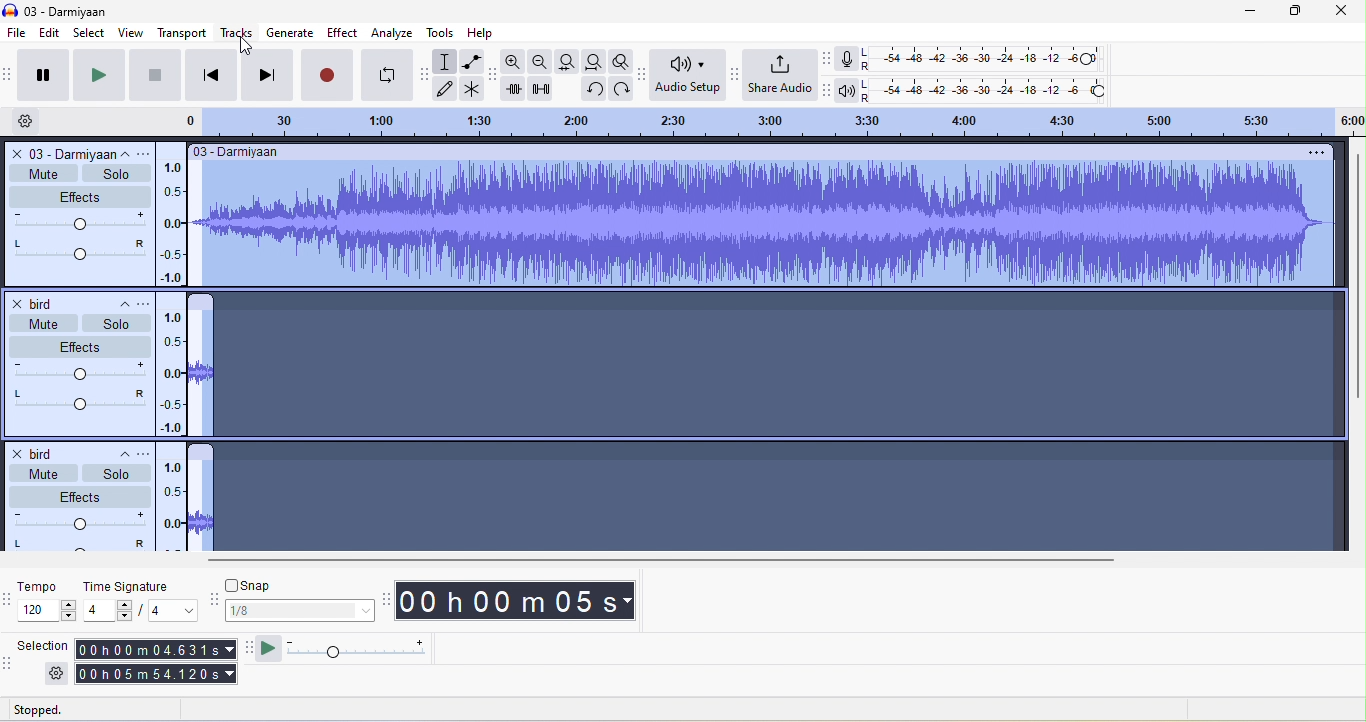 Image resolution: width=1366 pixels, height=722 pixels. What do you see at coordinates (140, 600) in the screenshot?
I see `time signature` at bounding box center [140, 600].